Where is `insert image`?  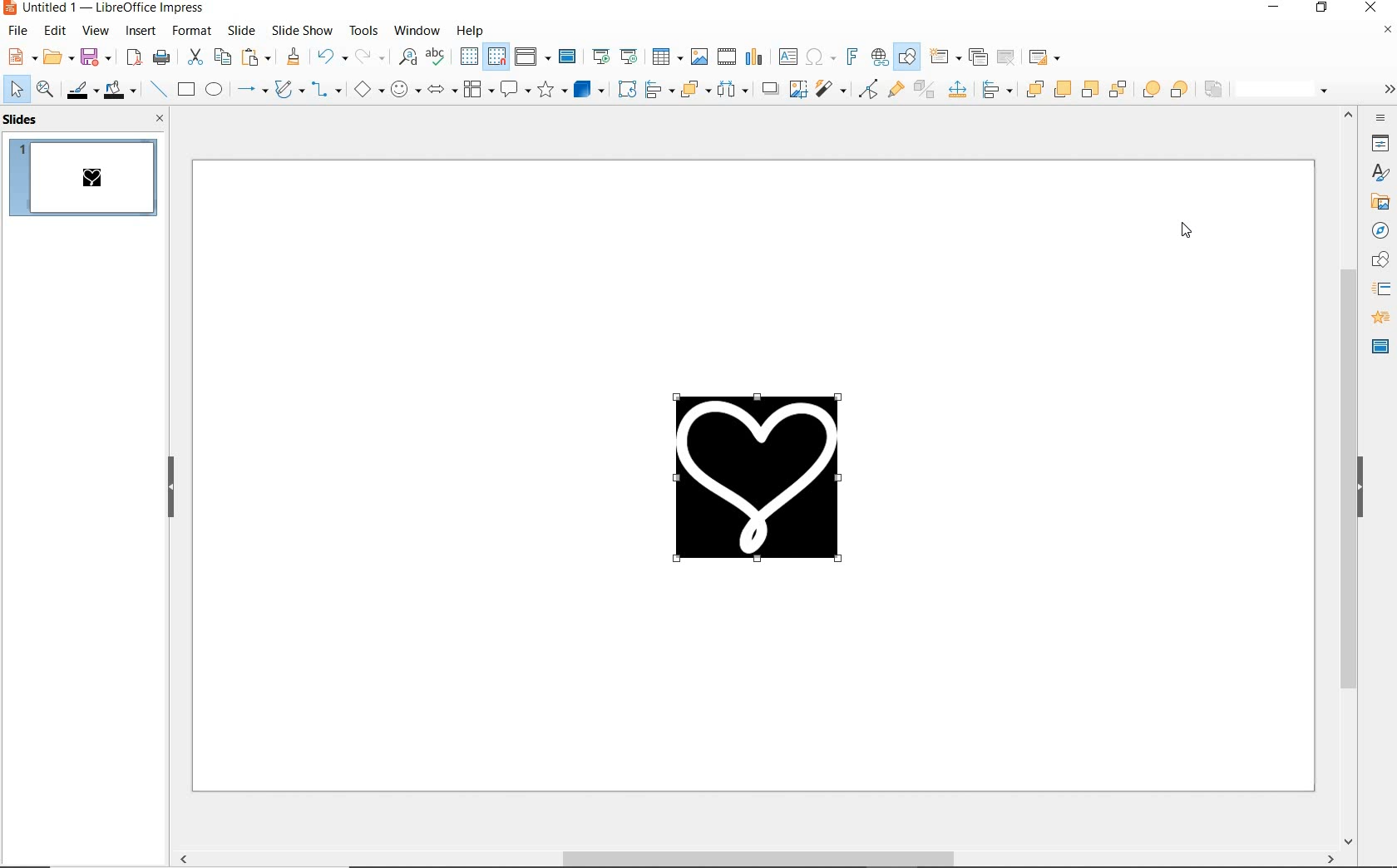
insert image is located at coordinates (698, 57).